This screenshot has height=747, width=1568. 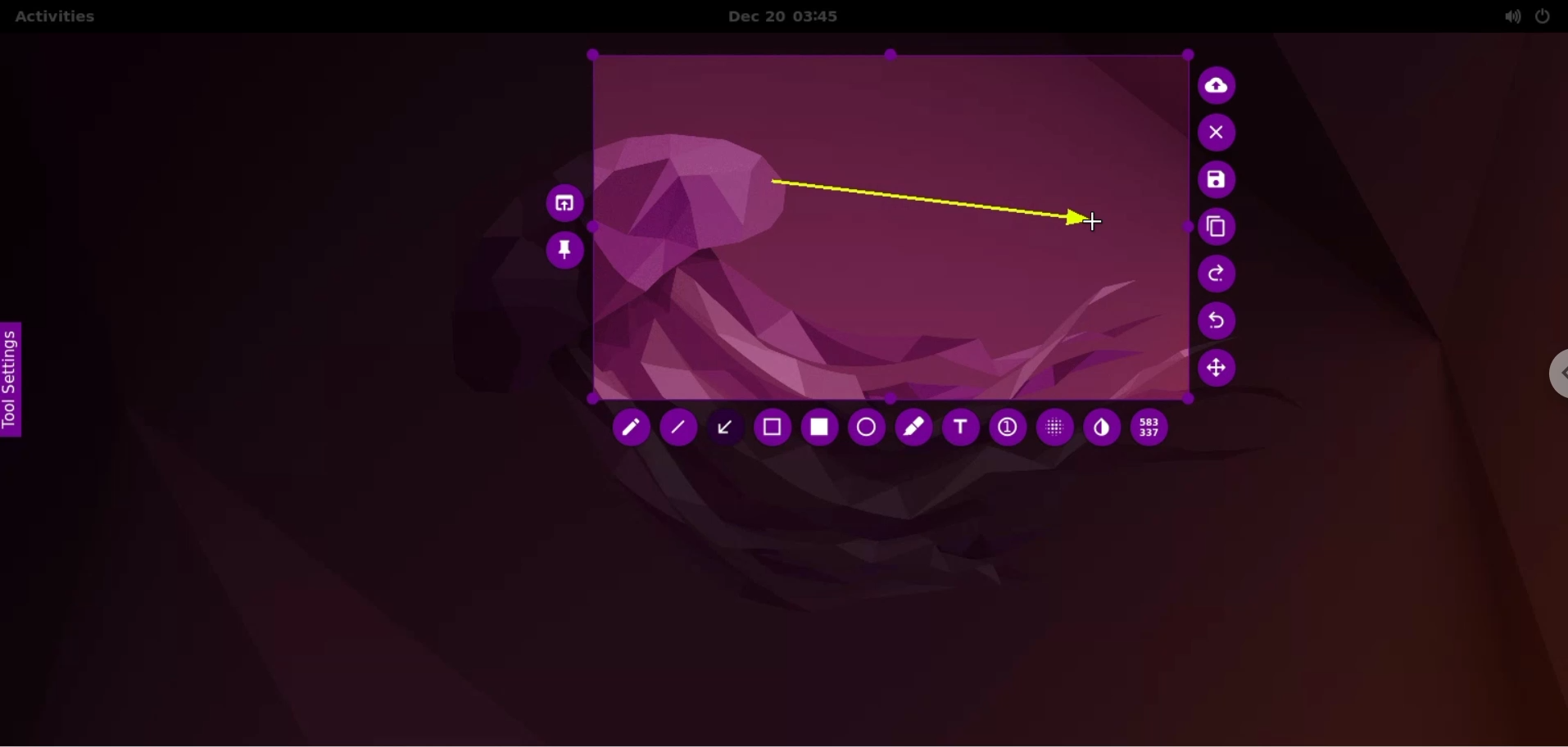 I want to click on upload, so click(x=1221, y=84).